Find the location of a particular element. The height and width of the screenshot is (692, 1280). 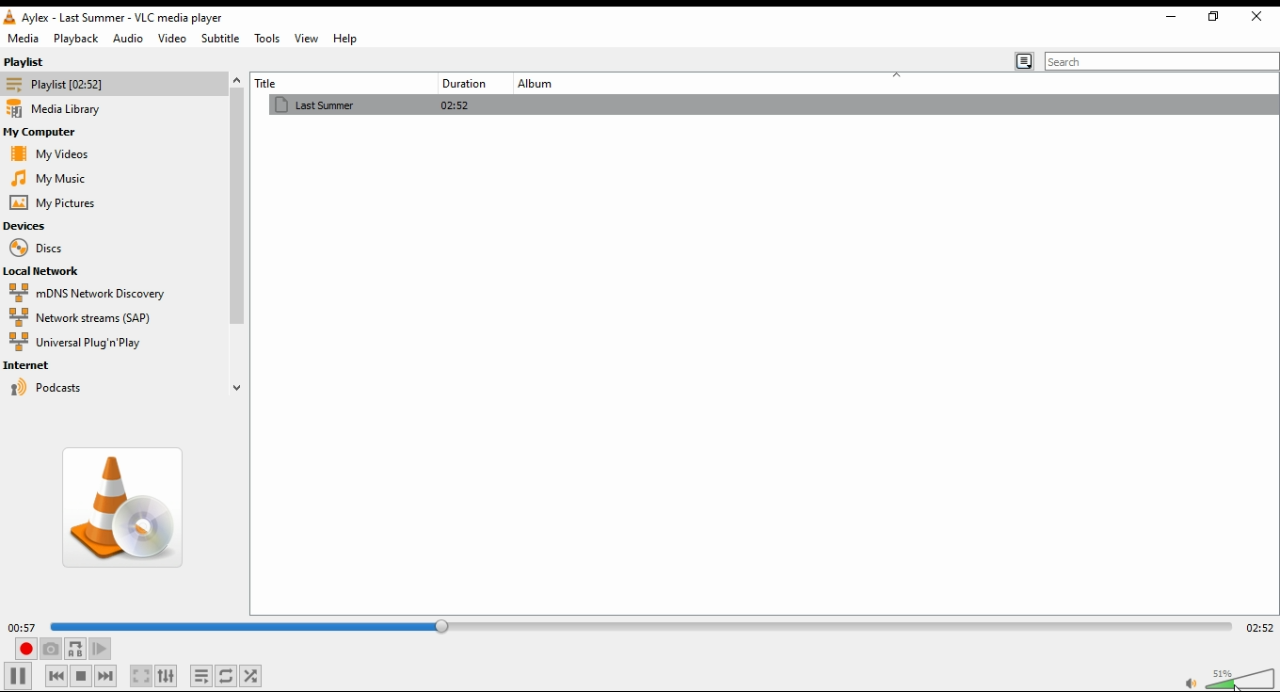

album art is located at coordinates (125, 513).